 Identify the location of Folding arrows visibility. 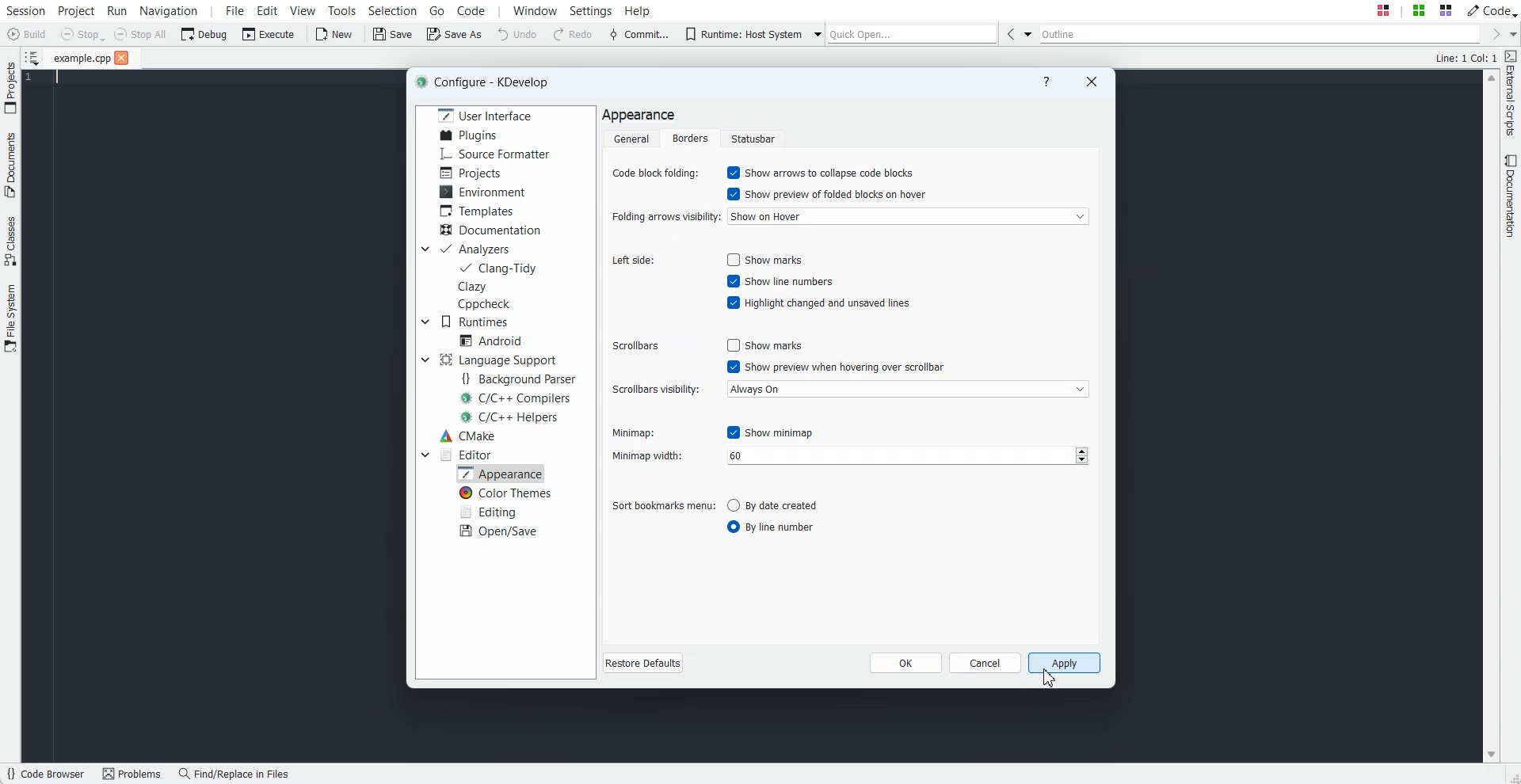
(663, 219).